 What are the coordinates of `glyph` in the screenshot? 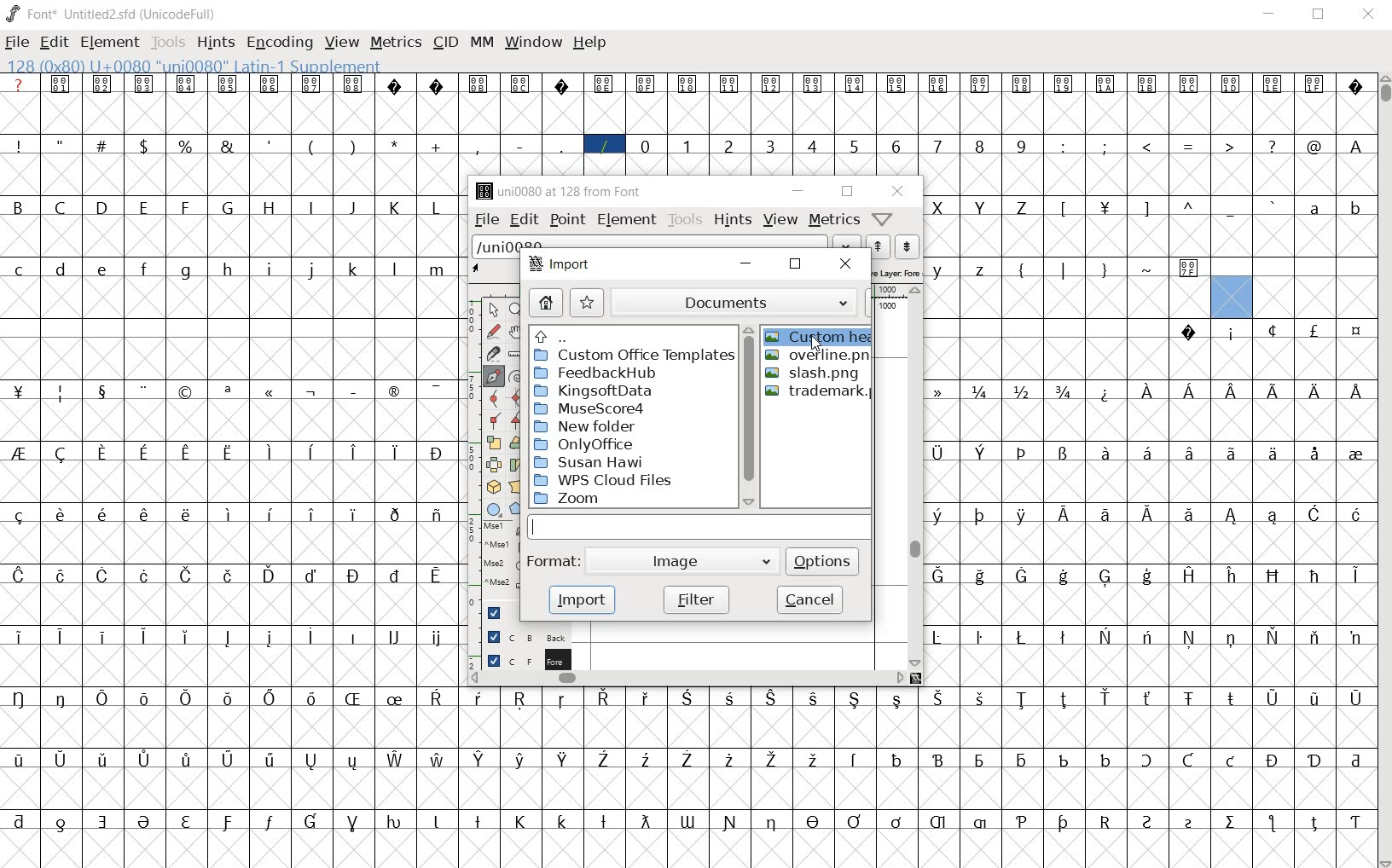 It's located at (19, 146).